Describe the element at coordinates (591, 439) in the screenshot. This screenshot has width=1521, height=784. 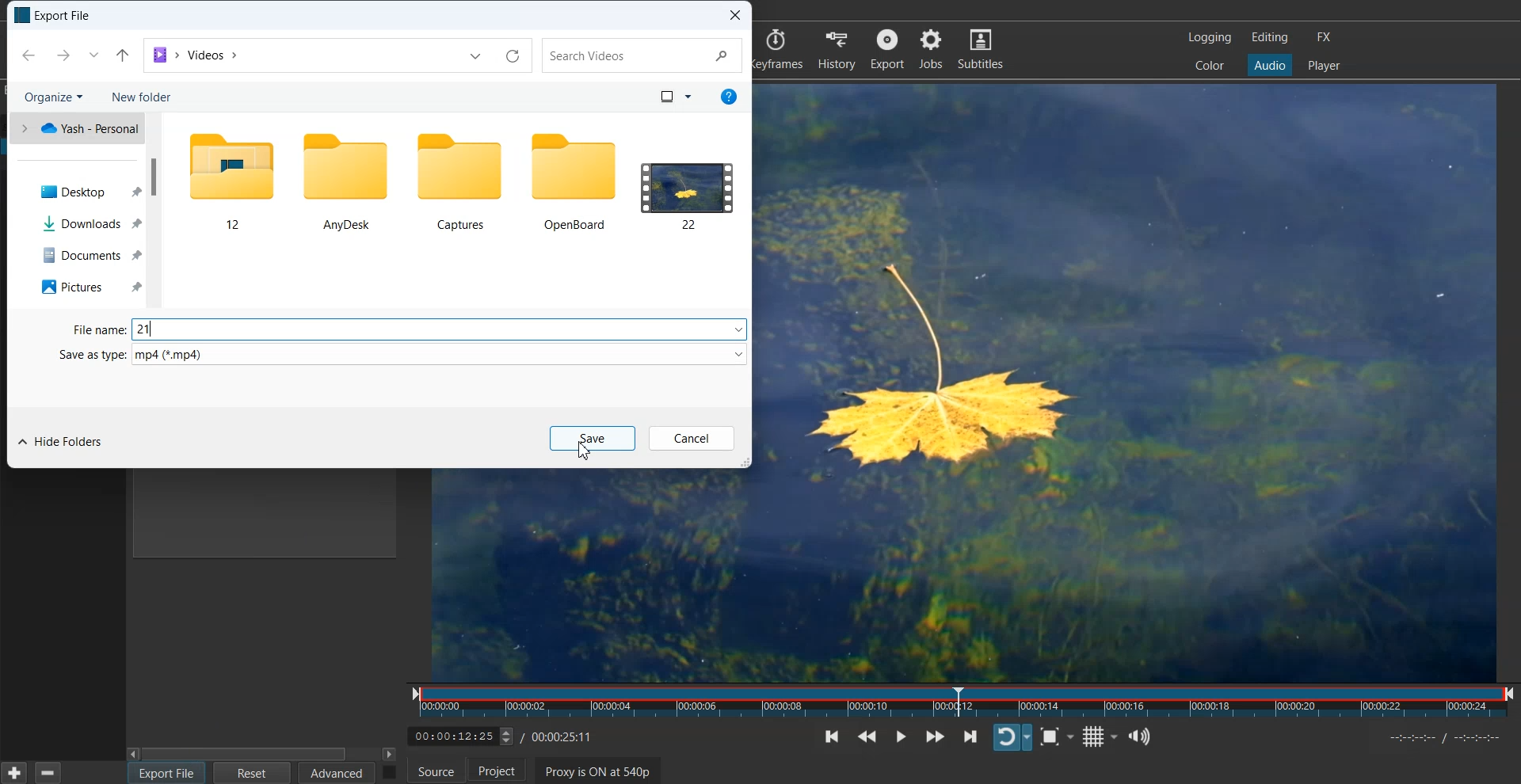
I see `Save` at that location.